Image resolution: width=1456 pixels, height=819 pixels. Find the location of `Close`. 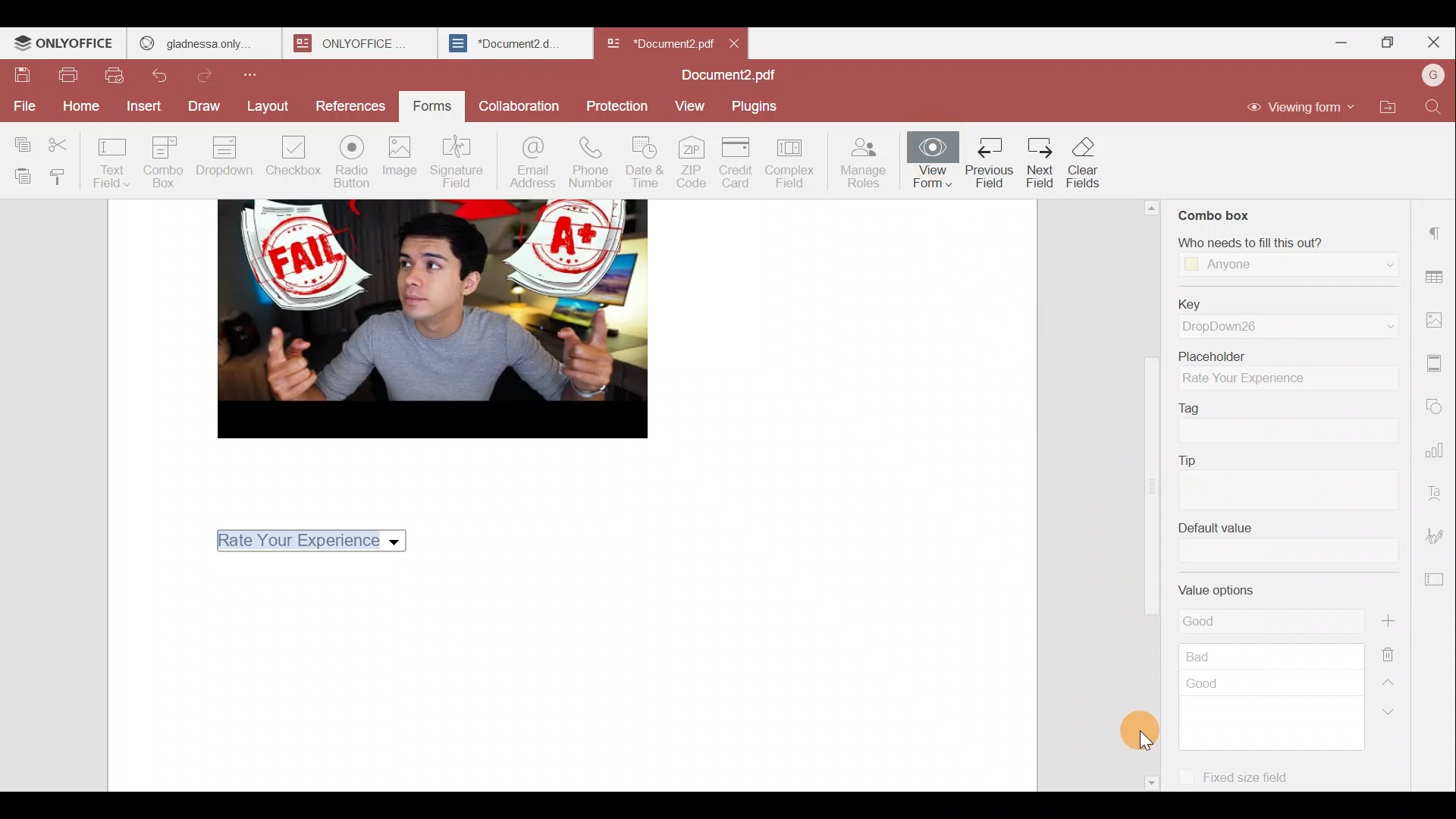

Close is located at coordinates (736, 41).